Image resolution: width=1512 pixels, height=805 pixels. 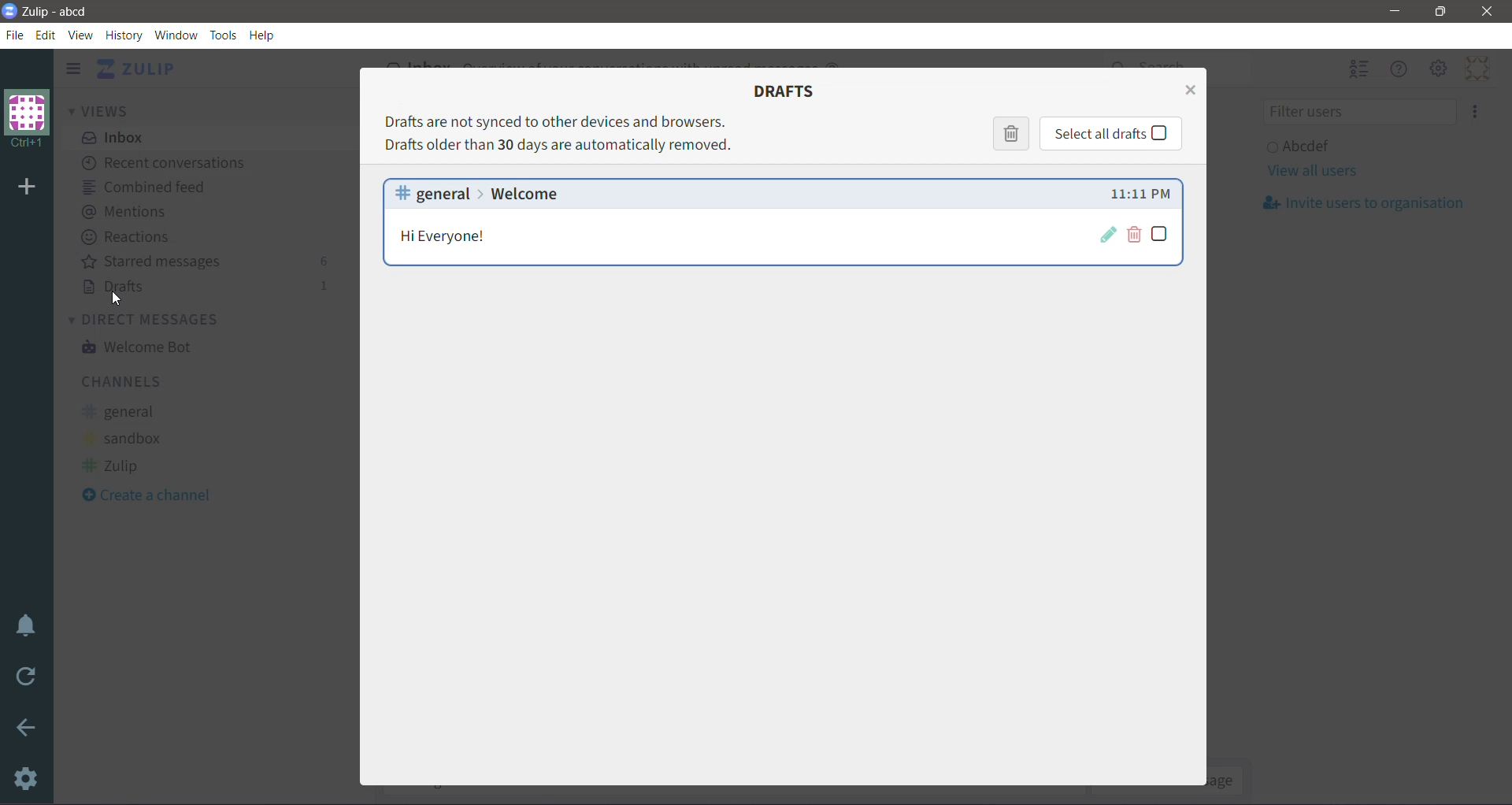 I want to click on general > welcome, so click(x=487, y=194).